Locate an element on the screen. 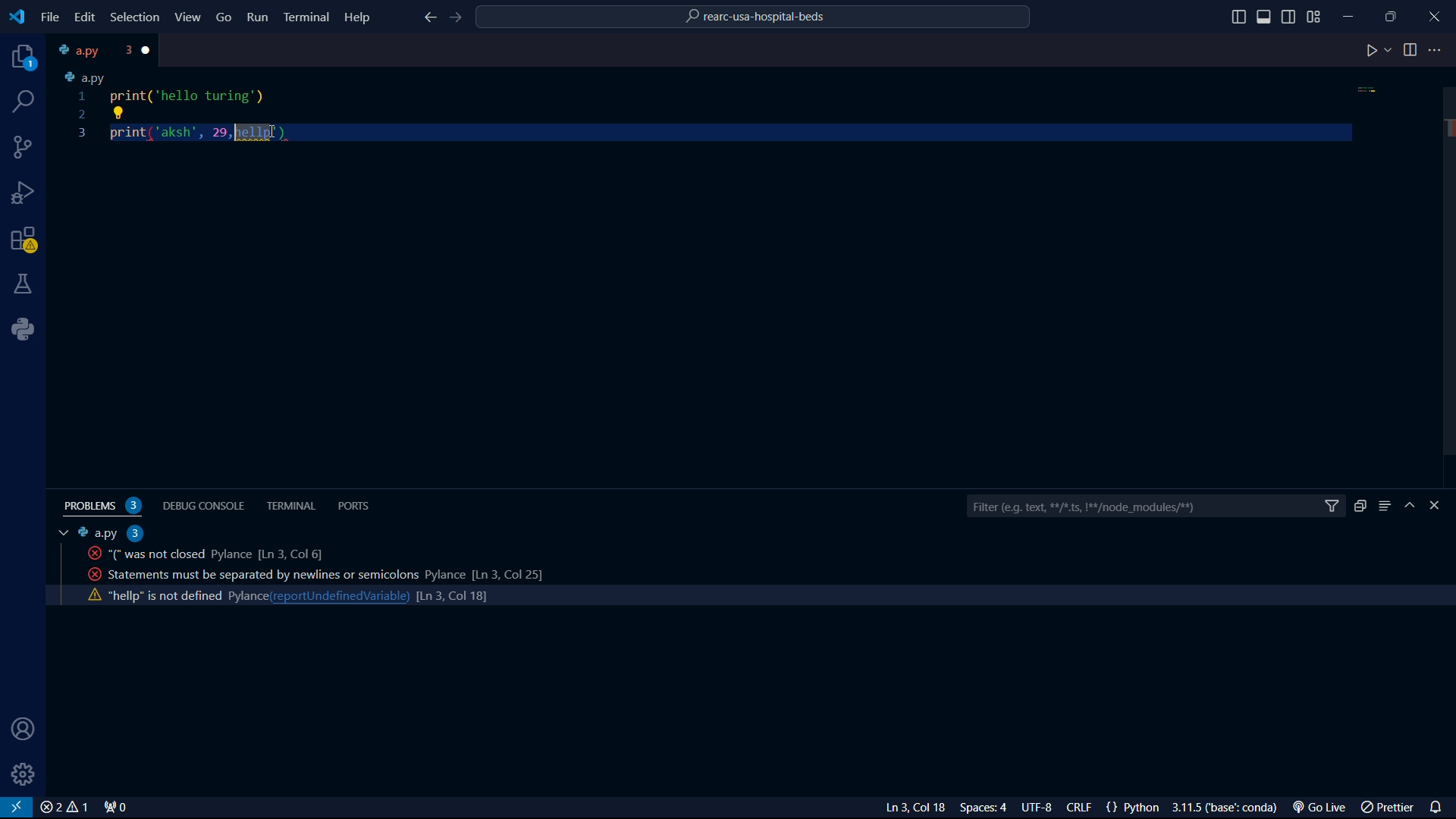  cursor is located at coordinates (261, 136).